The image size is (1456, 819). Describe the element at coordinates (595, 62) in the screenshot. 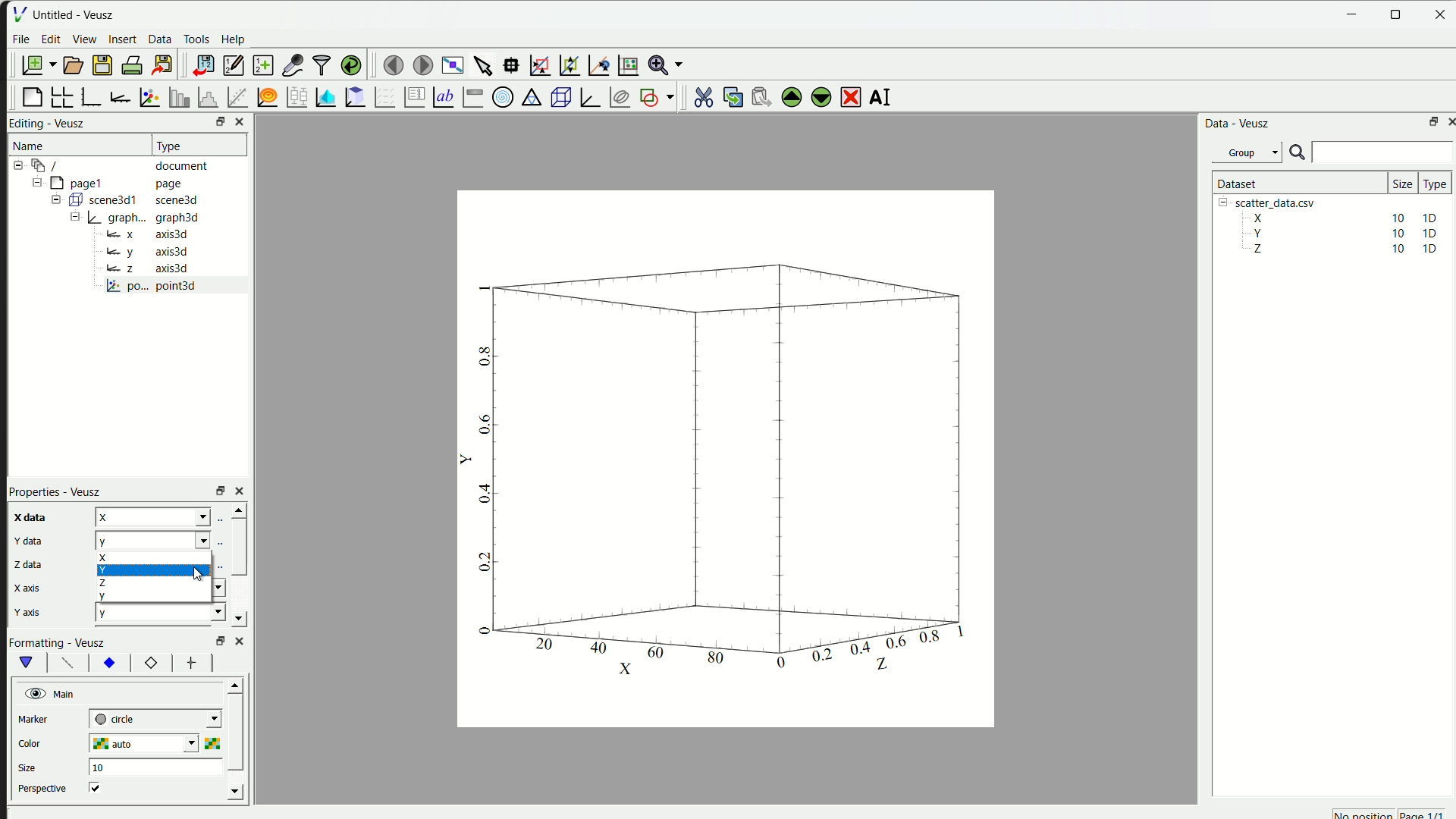

I see `recenter graph axes` at that location.